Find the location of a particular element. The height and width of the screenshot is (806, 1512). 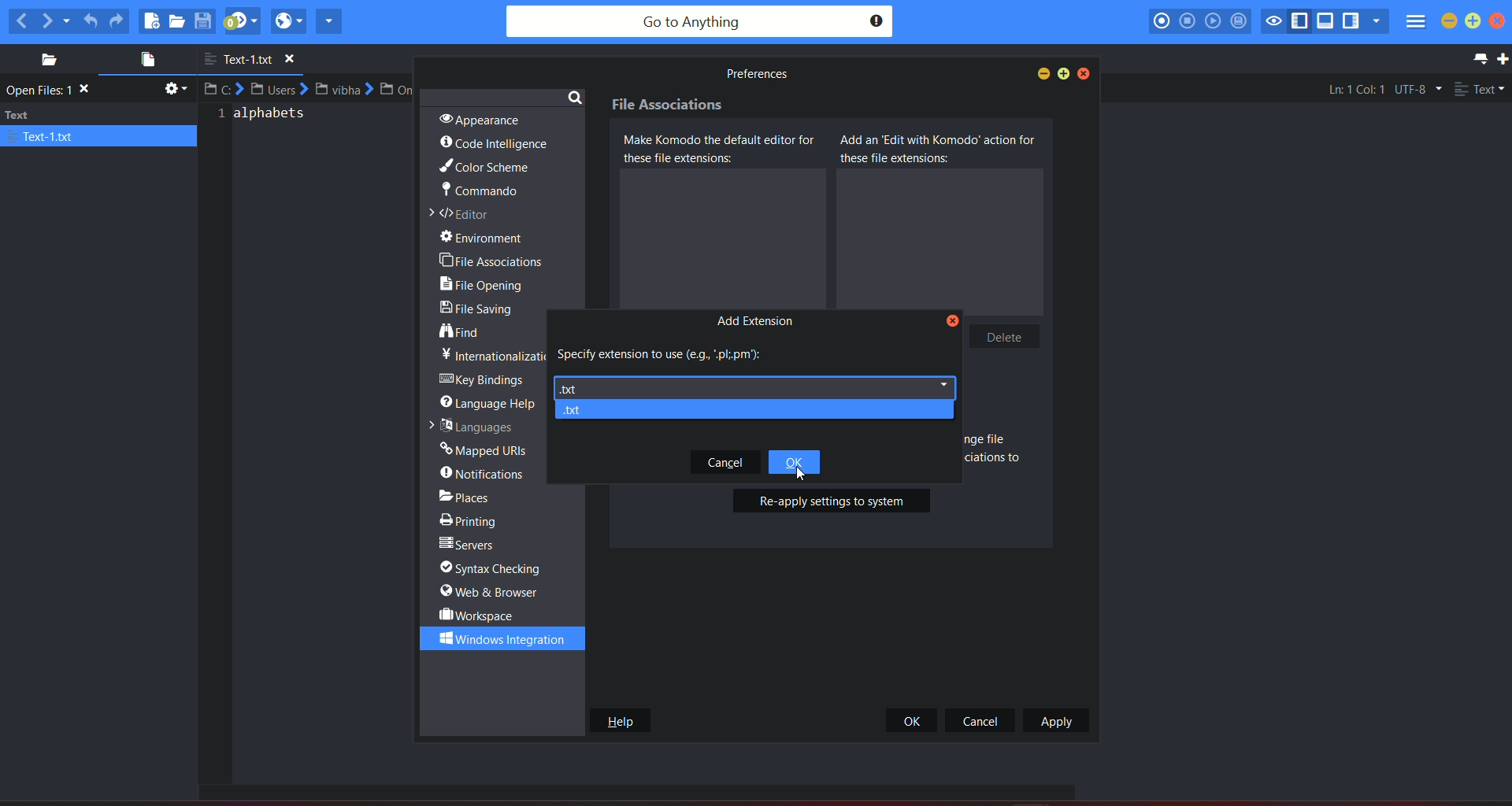

undo is located at coordinates (91, 18).